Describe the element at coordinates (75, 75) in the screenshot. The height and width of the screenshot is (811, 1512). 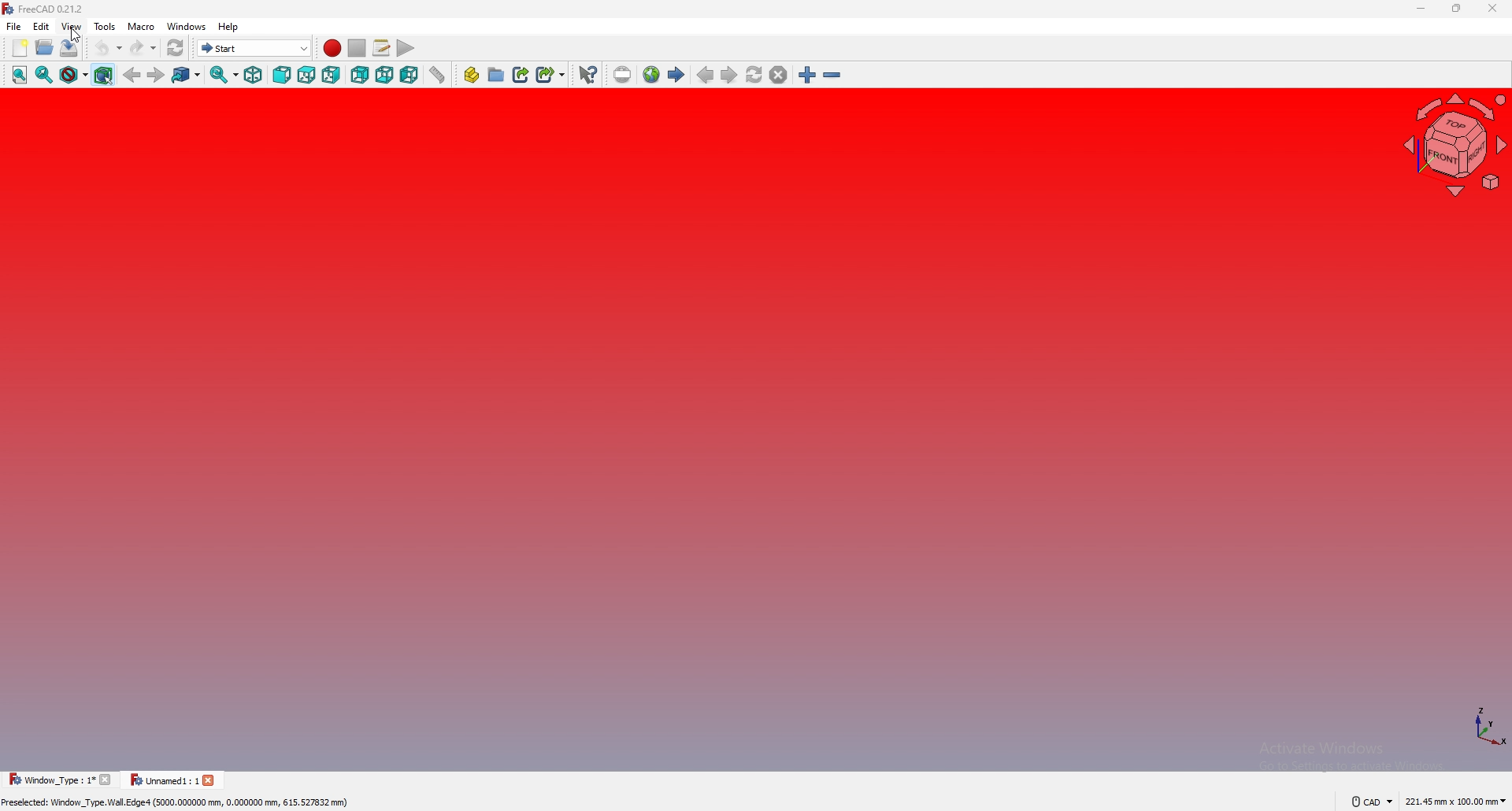
I see `draw style` at that location.